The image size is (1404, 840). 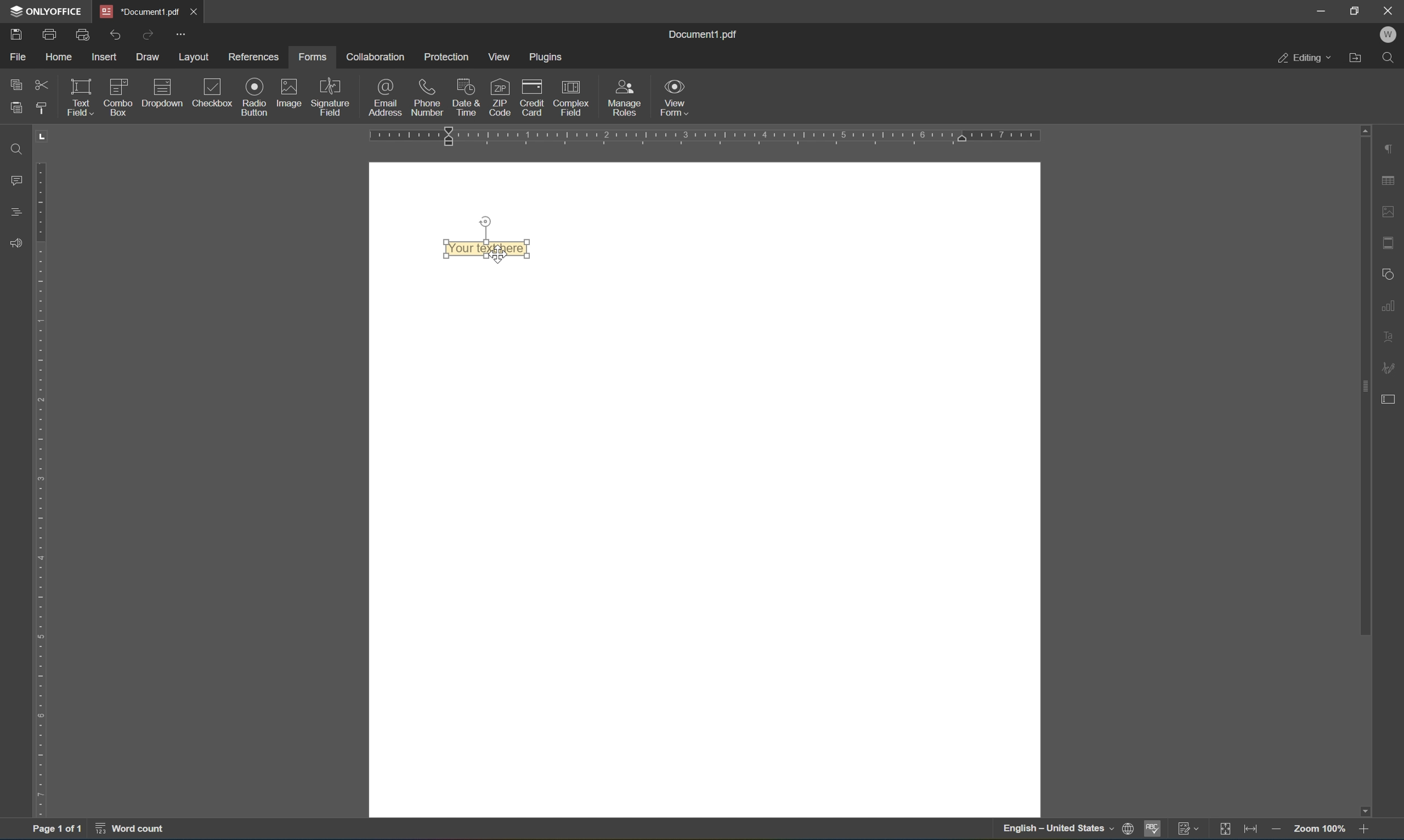 I want to click on signature field, so click(x=331, y=97).